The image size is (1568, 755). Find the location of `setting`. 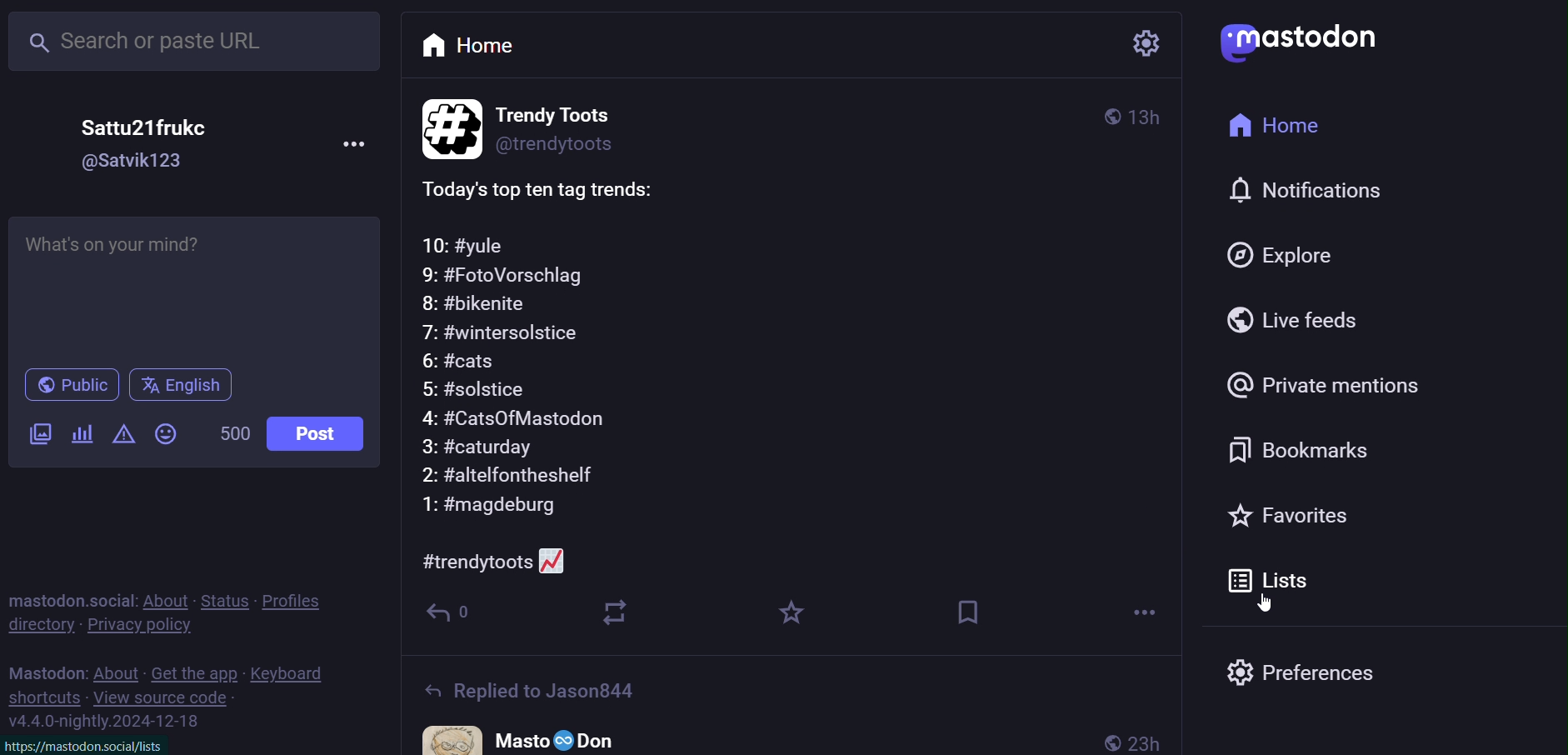

setting is located at coordinates (1145, 42).